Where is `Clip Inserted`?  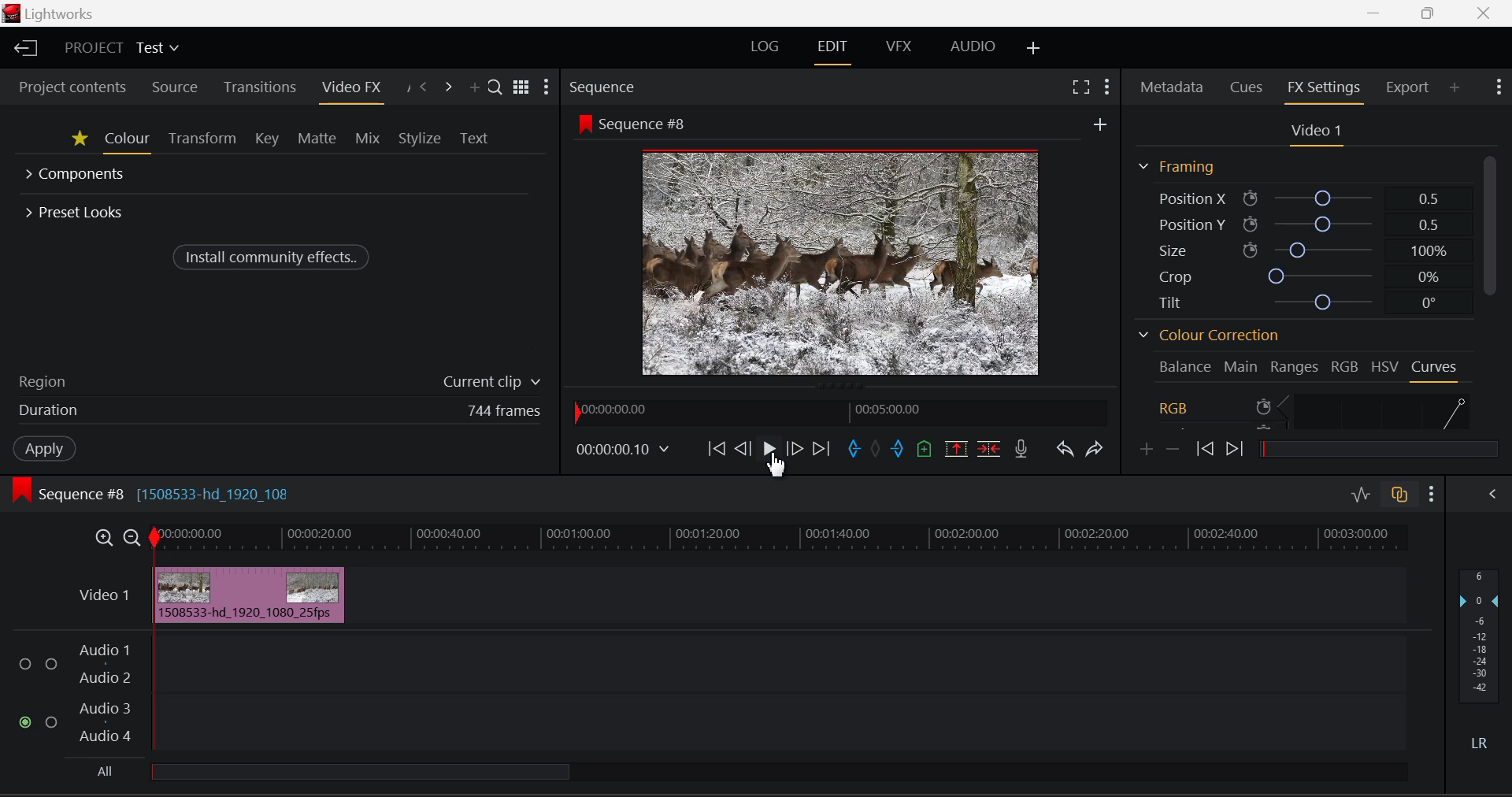
Clip Inserted is located at coordinates (247, 595).